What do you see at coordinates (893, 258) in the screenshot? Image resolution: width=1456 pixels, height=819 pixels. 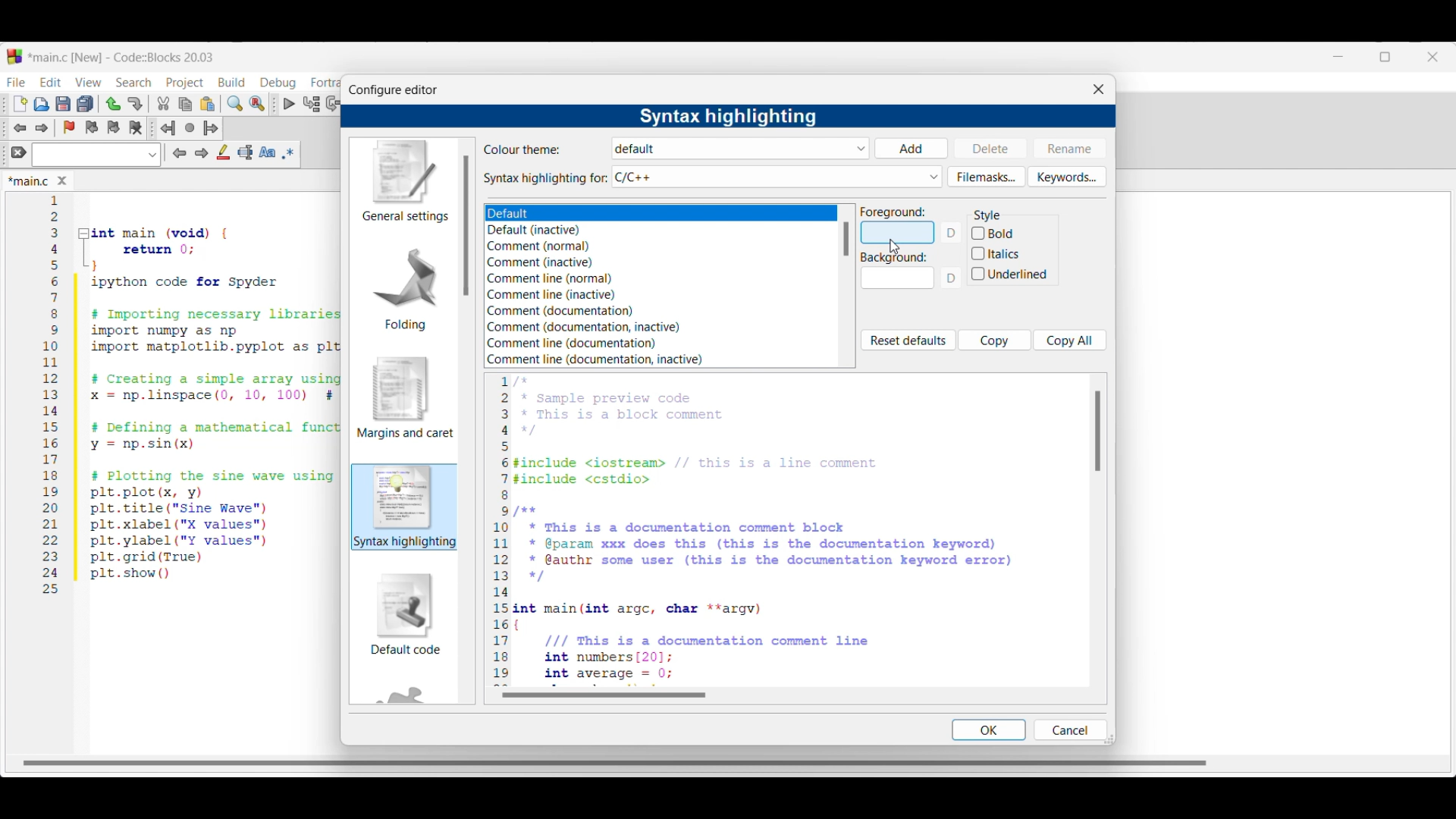 I see `Indicates background color options` at bounding box center [893, 258].